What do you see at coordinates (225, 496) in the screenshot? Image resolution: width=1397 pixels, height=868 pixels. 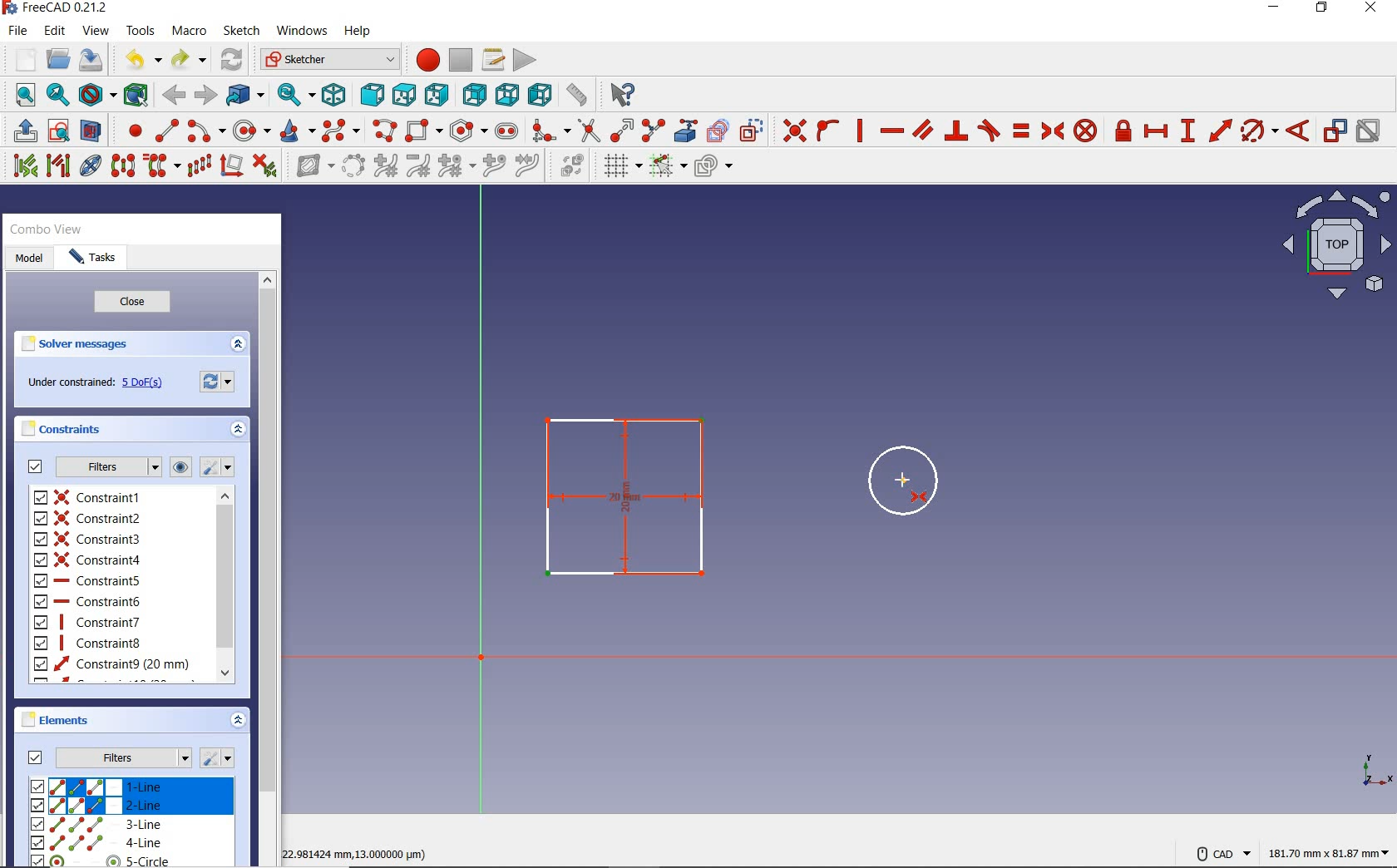 I see `Scroll up` at bounding box center [225, 496].